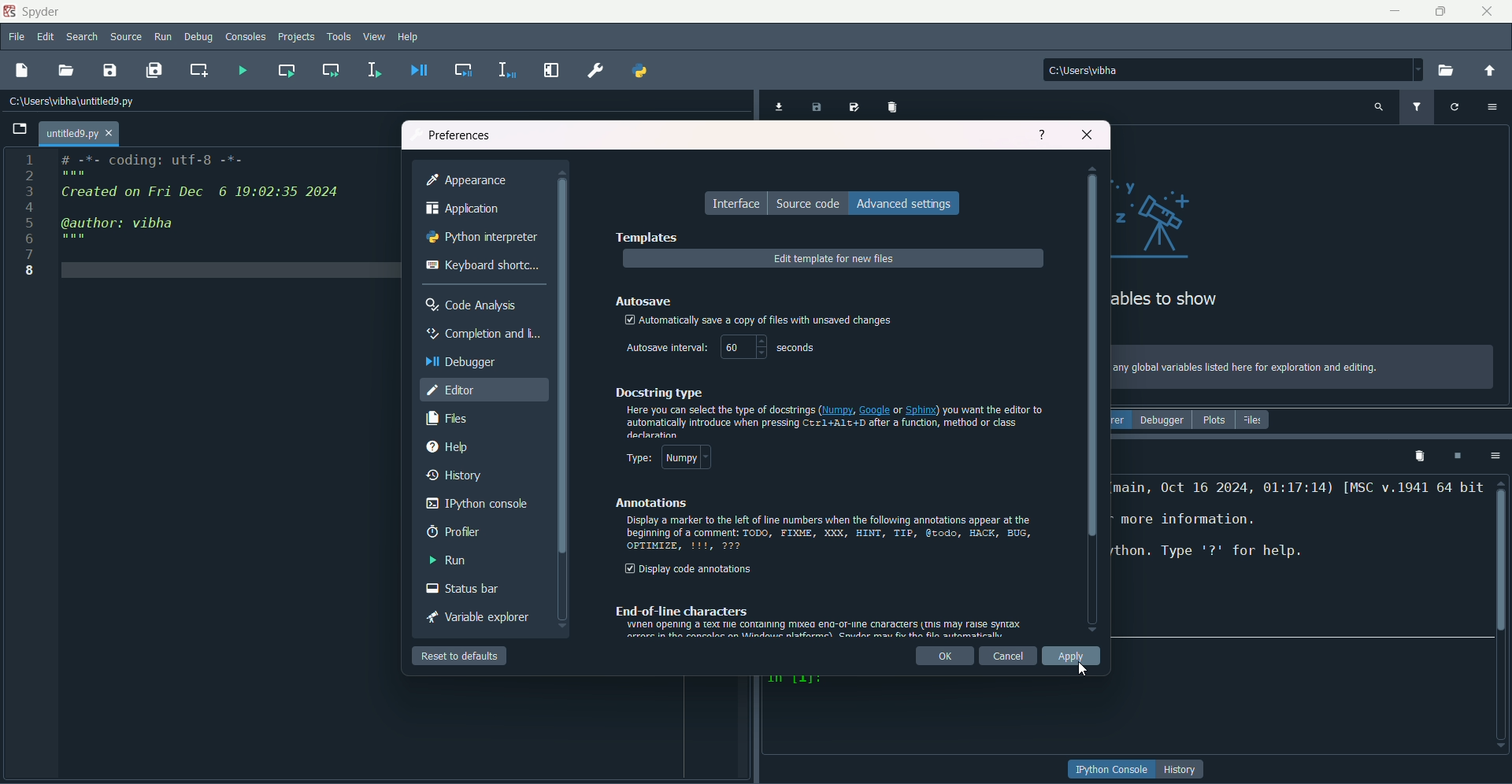 The image size is (1512, 784). Describe the element at coordinates (791, 317) in the screenshot. I see `text` at that location.